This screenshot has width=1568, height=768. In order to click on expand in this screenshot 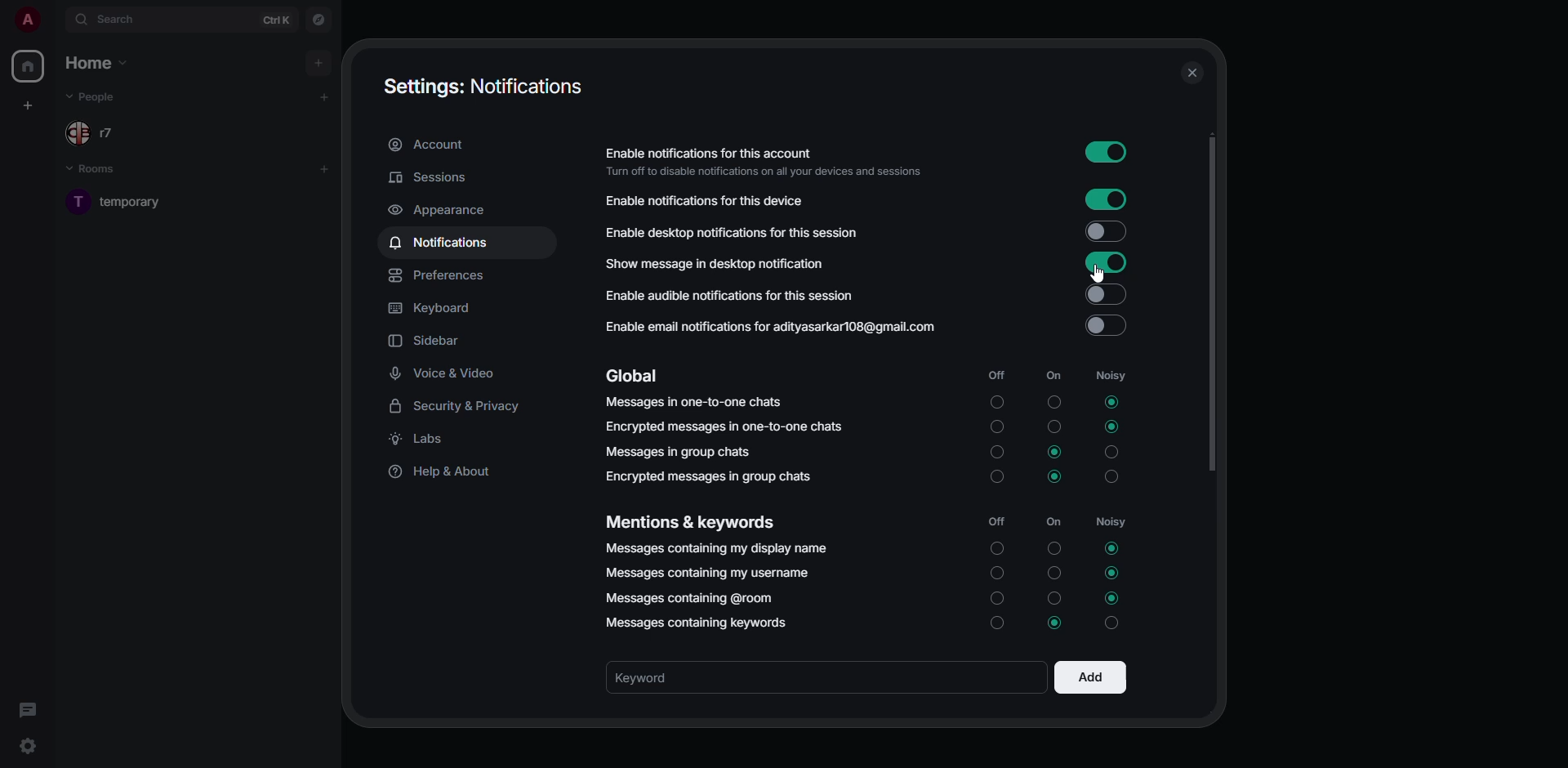, I will do `click(56, 19)`.